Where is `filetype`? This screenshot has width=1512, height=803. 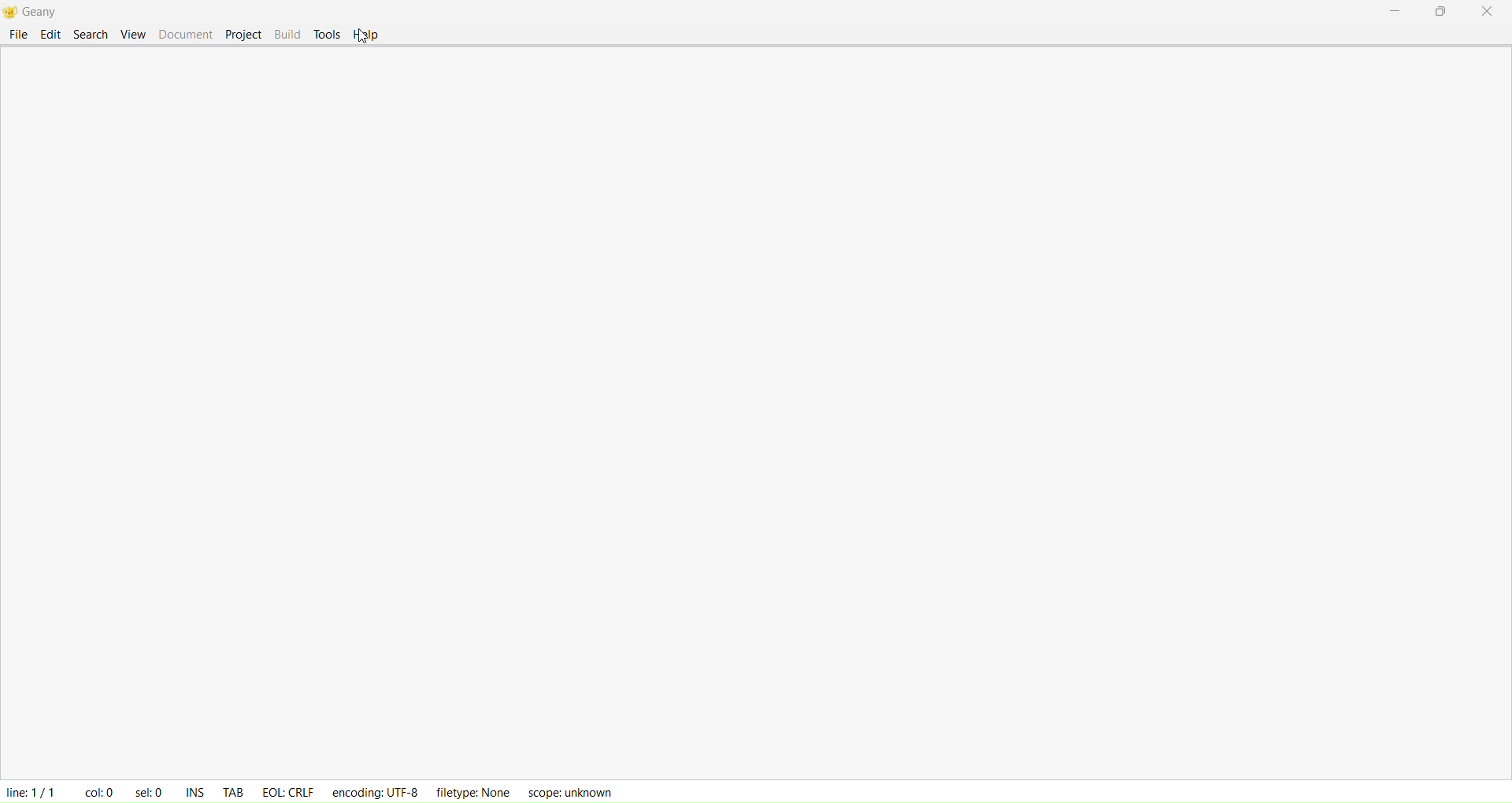
filetype is located at coordinates (472, 791).